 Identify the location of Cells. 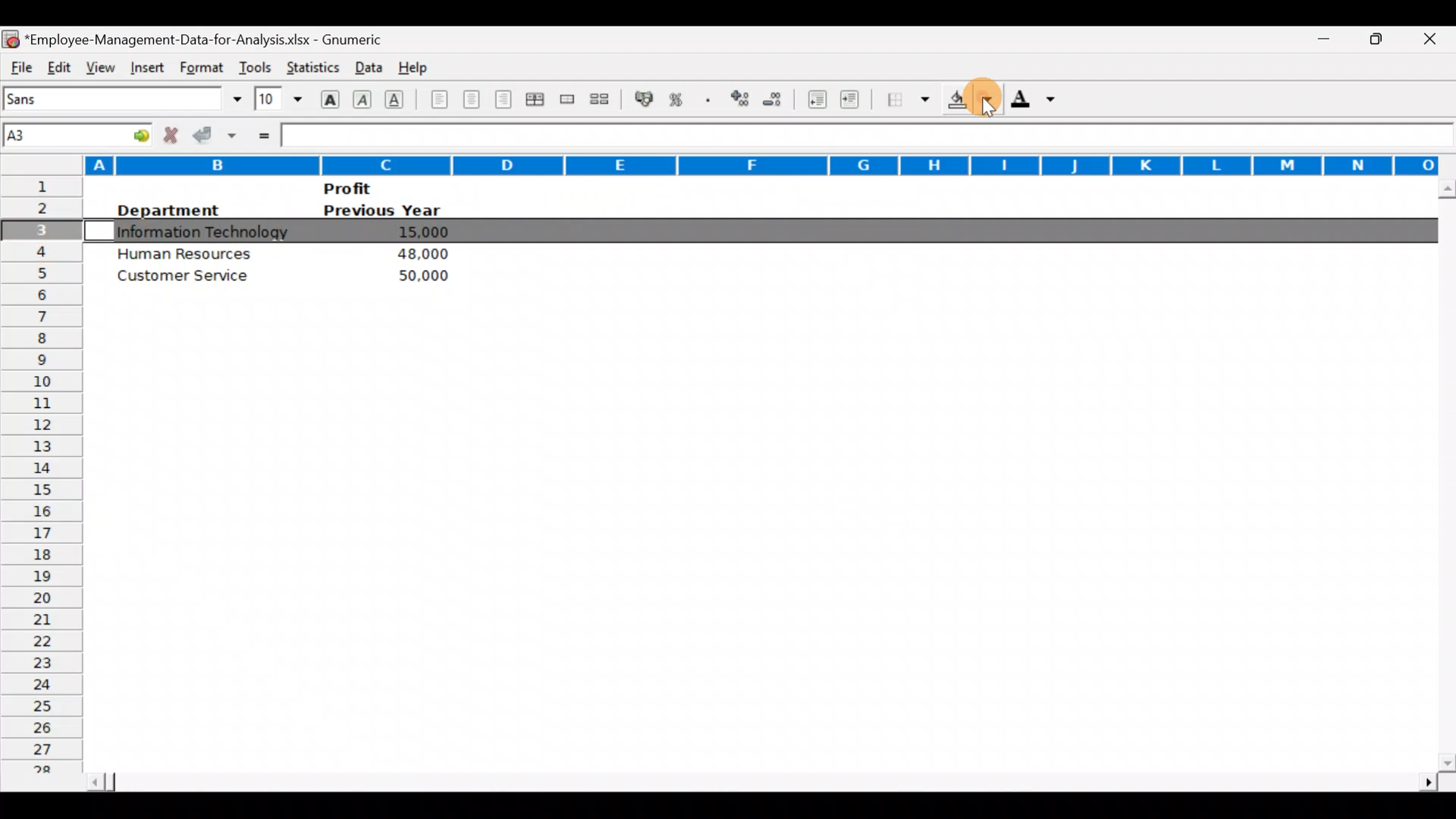
(748, 537).